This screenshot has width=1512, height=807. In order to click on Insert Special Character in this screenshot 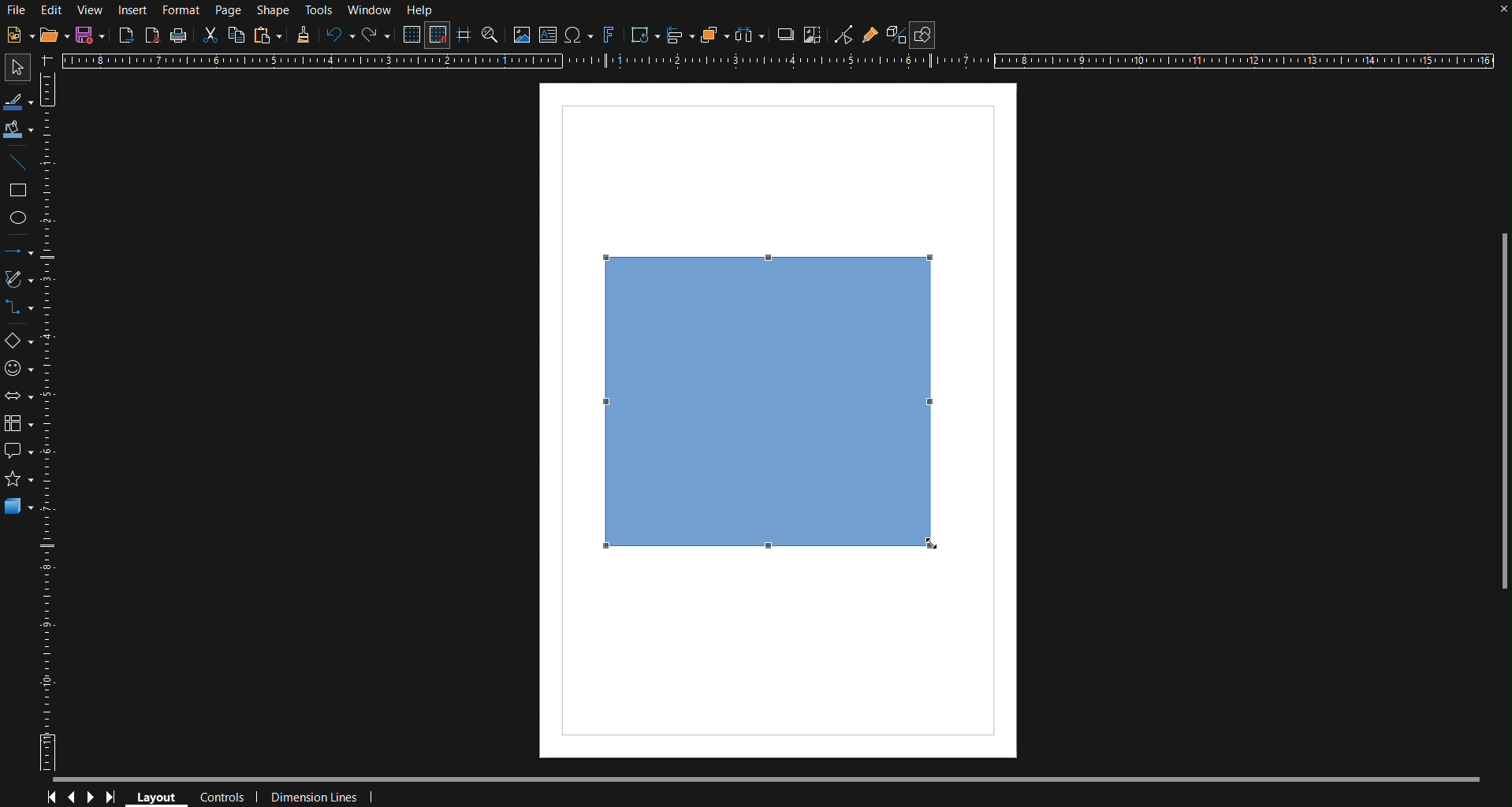, I will do `click(578, 35)`.